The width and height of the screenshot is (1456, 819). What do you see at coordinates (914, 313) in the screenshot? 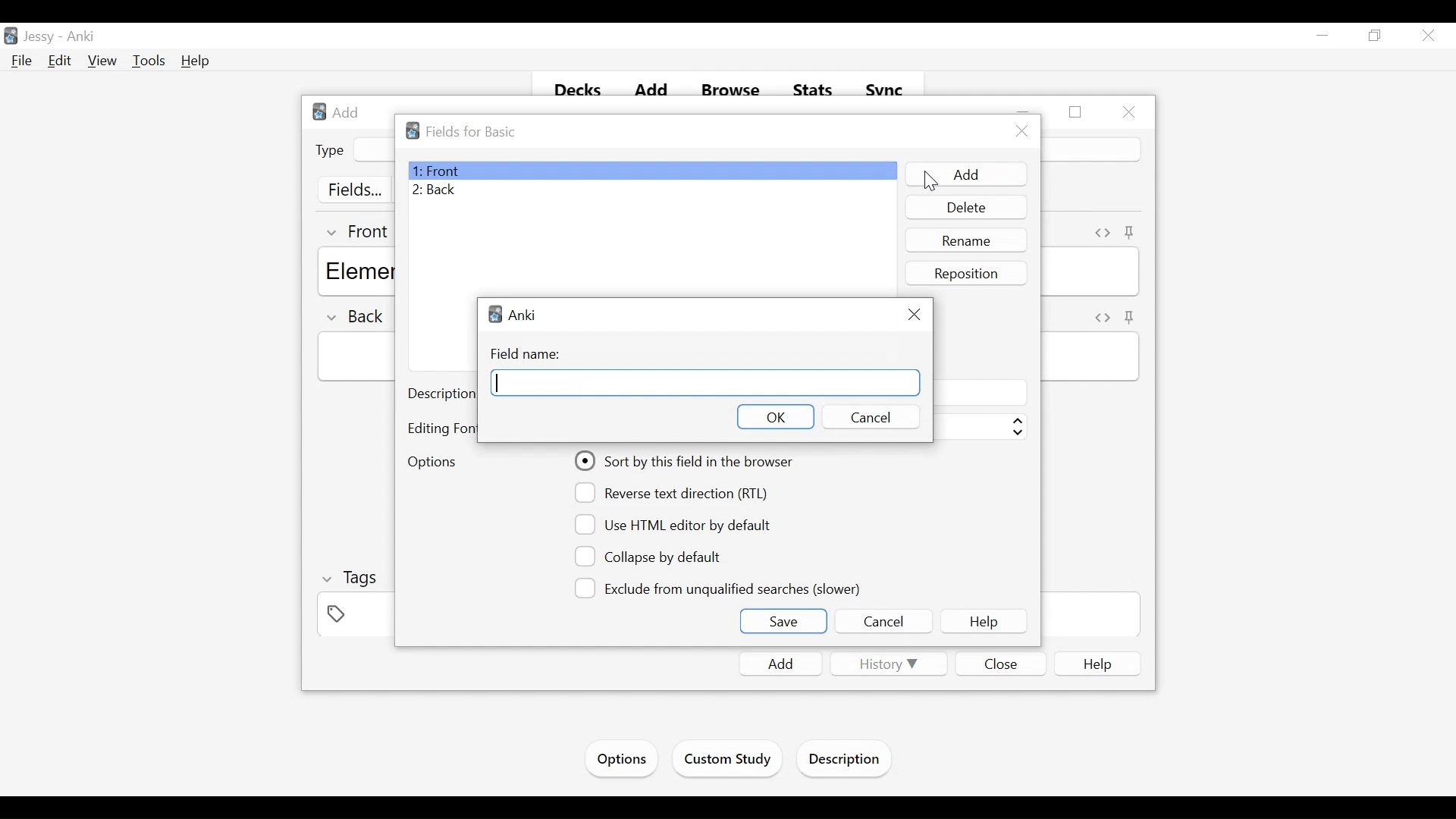
I see `Close` at bounding box center [914, 313].